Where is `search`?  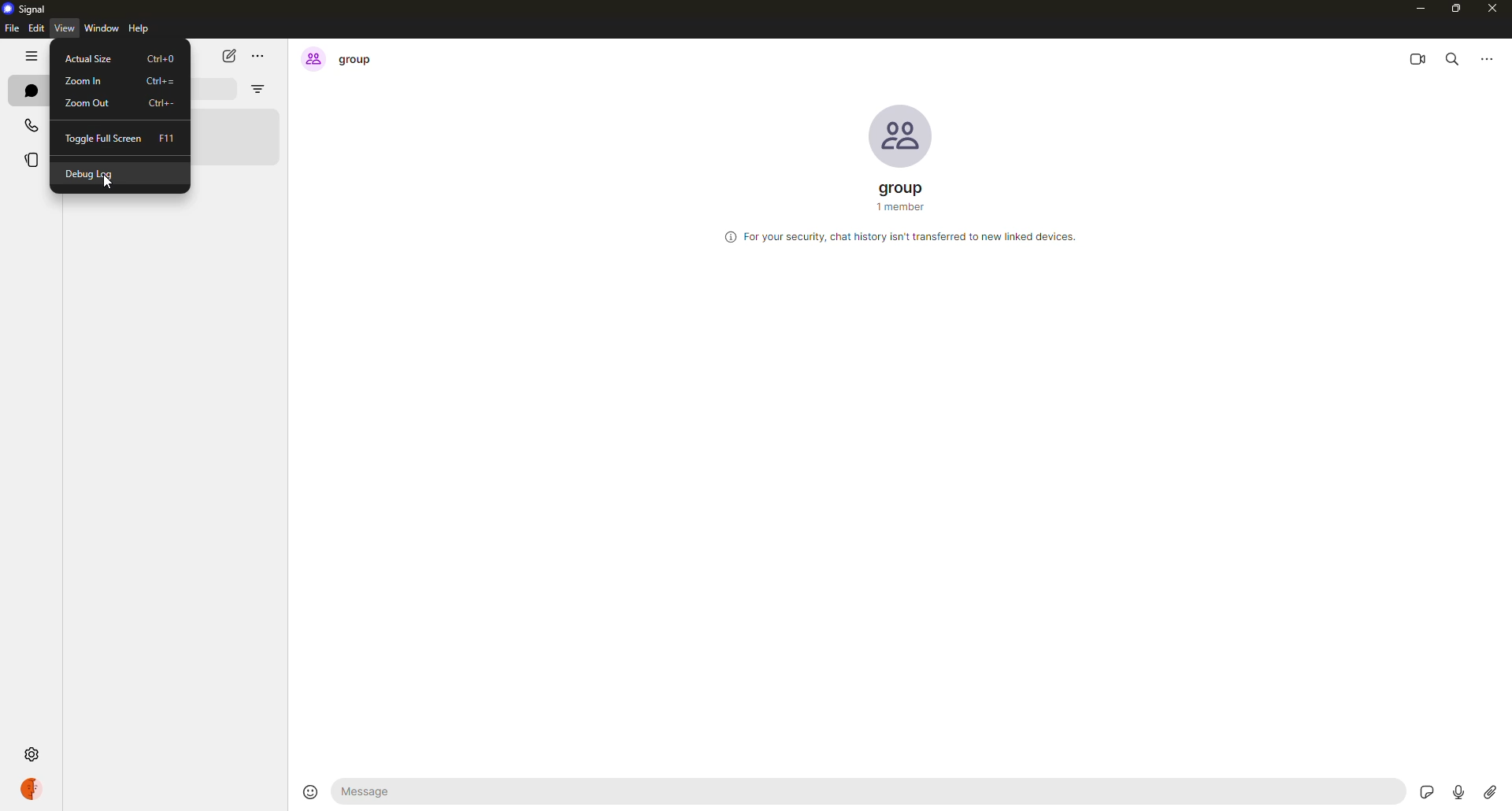
search is located at coordinates (1457, 57).